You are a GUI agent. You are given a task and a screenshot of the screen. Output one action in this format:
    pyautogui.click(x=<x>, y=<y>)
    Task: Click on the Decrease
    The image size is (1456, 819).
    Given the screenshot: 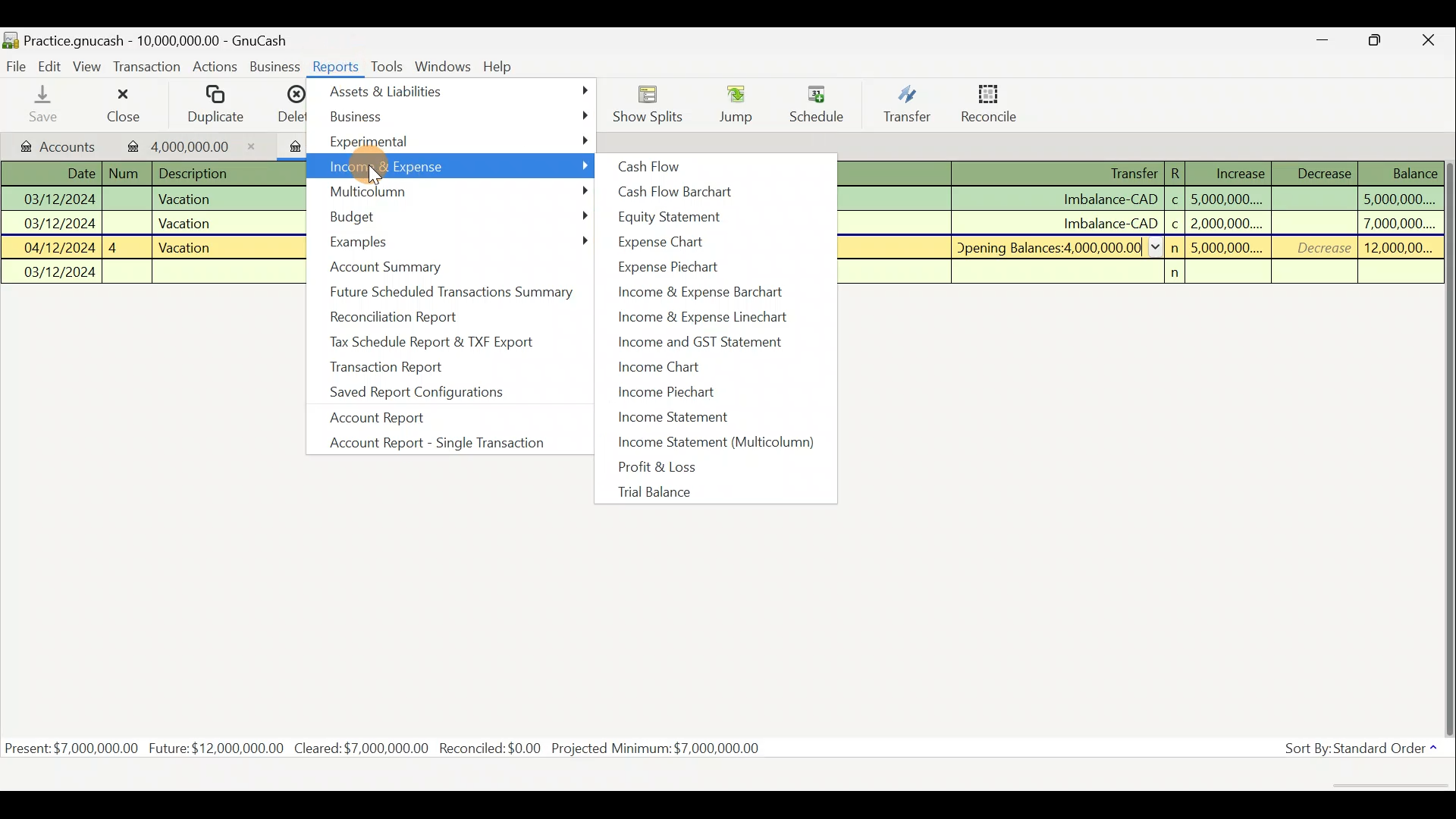 What is the action you would take?
    pyautogui.click(x=1326, y=247)
    